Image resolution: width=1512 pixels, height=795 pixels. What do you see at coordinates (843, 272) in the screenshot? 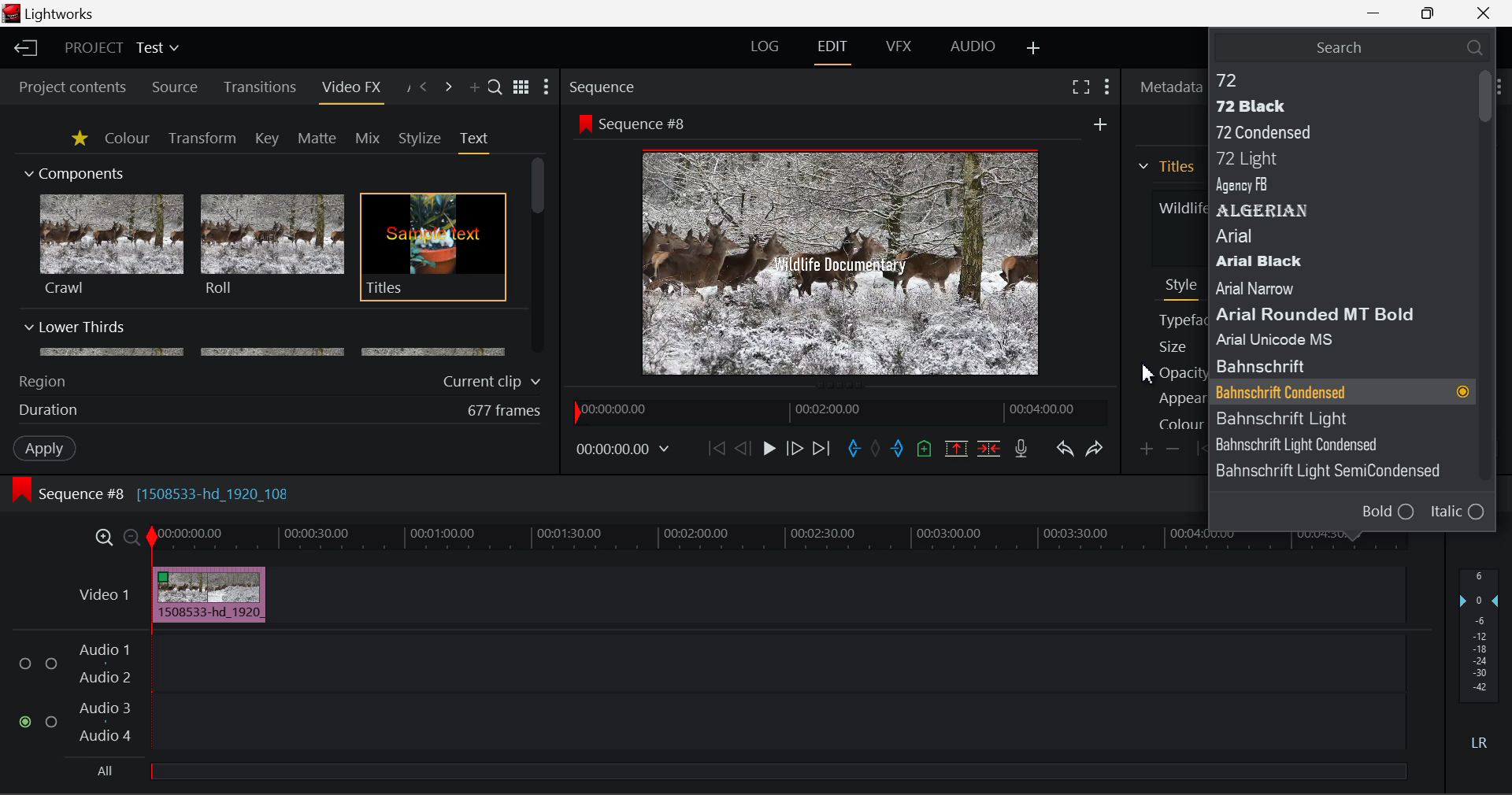
I see `Typeface Updated in Preview` at bounding box center [843, 272].